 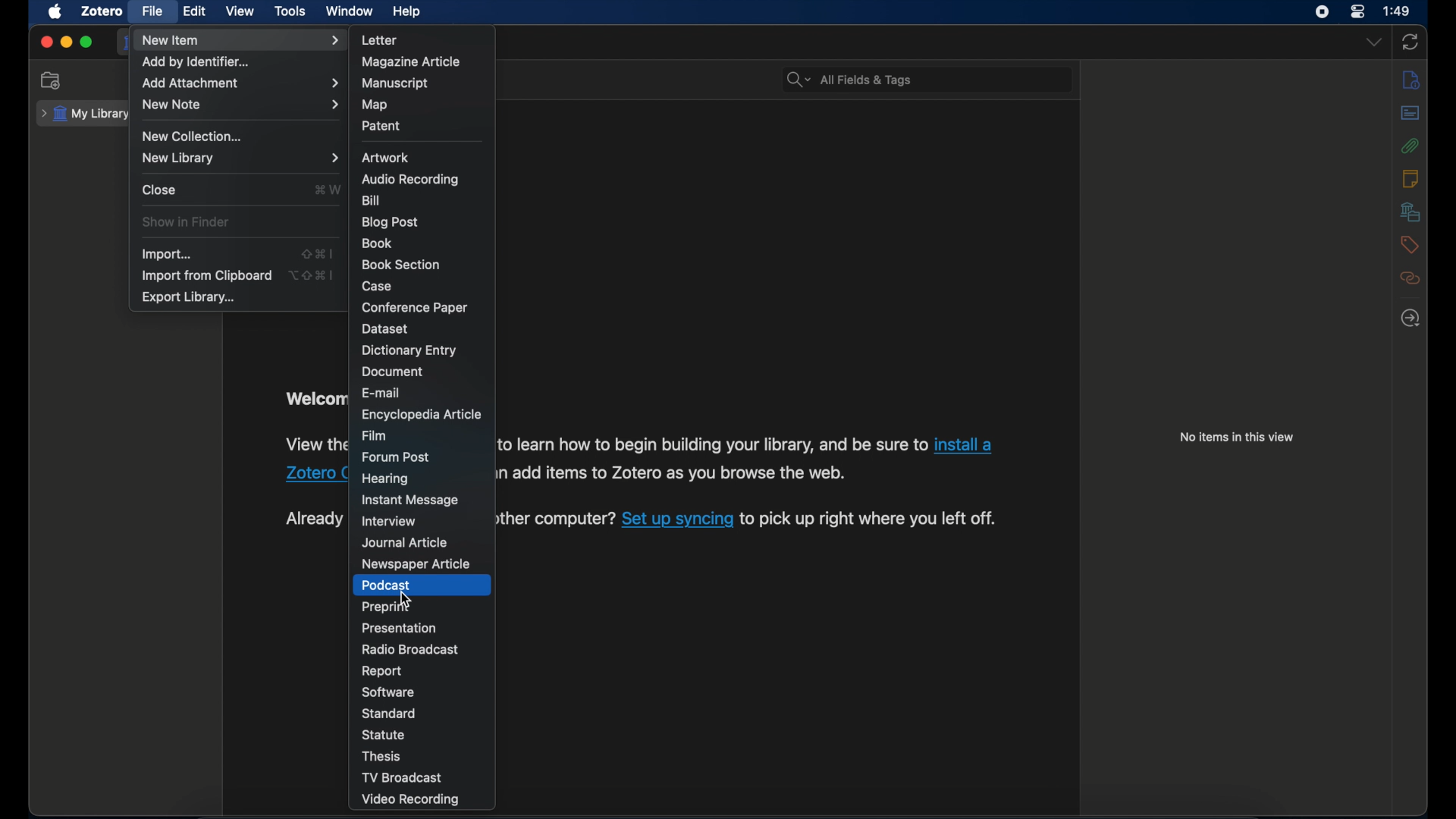 I want to click on help, so click(x=409, y=12).